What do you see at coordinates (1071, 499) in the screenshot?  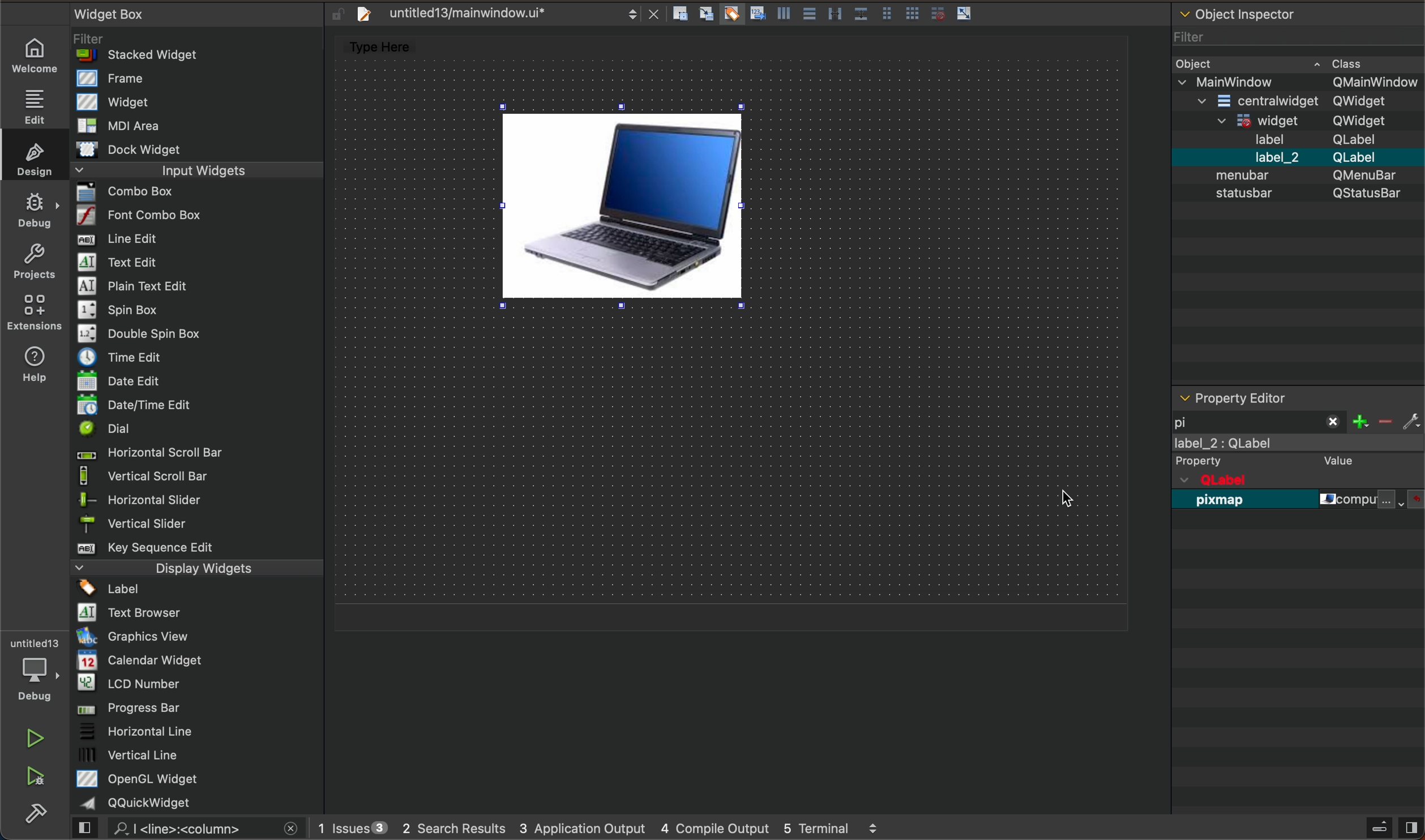 I see `cursor` at bounding box center [1071, 499].